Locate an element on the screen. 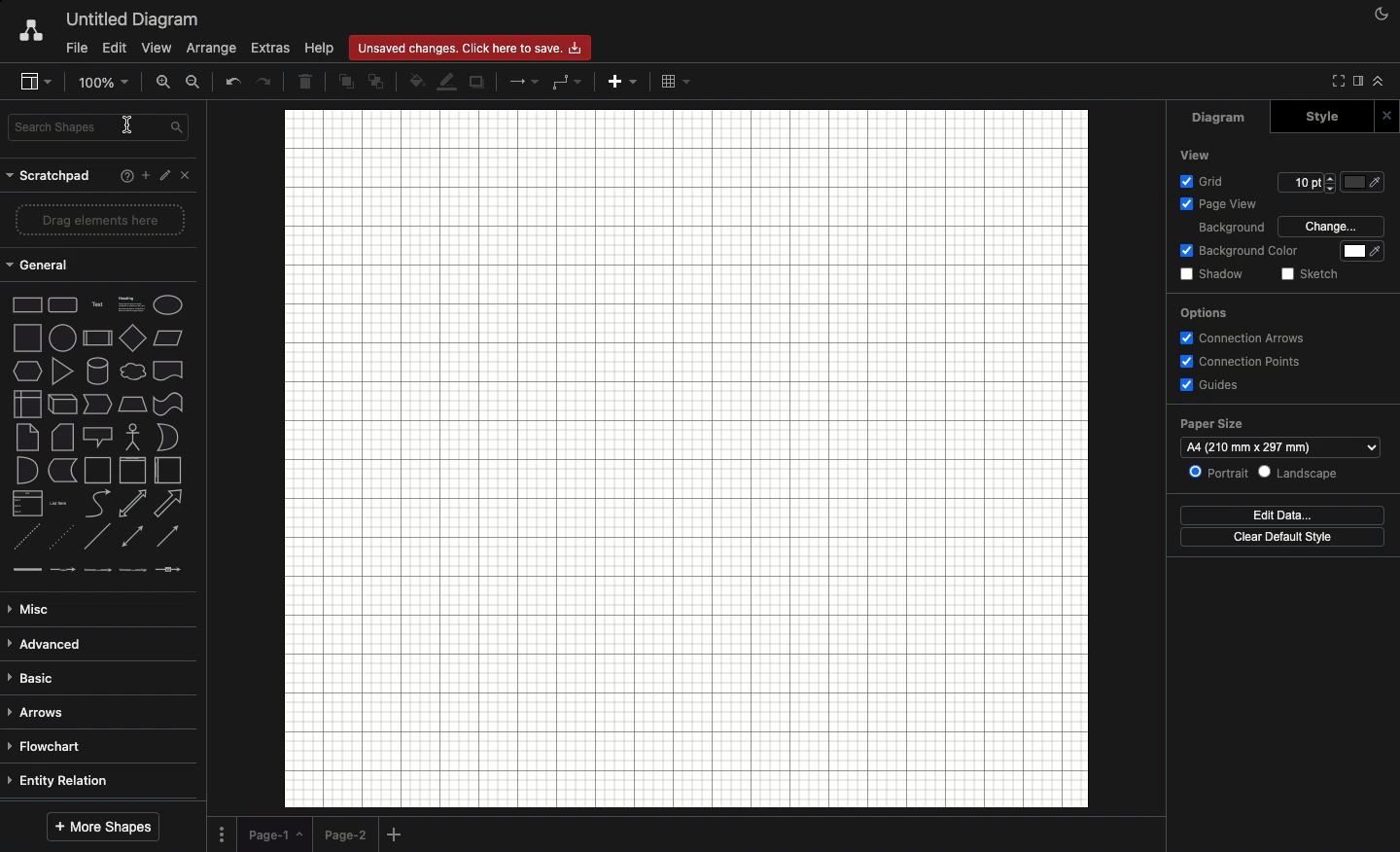 This screenshot has height=852, width=1400. Edit is located at coordinates (113, 47).